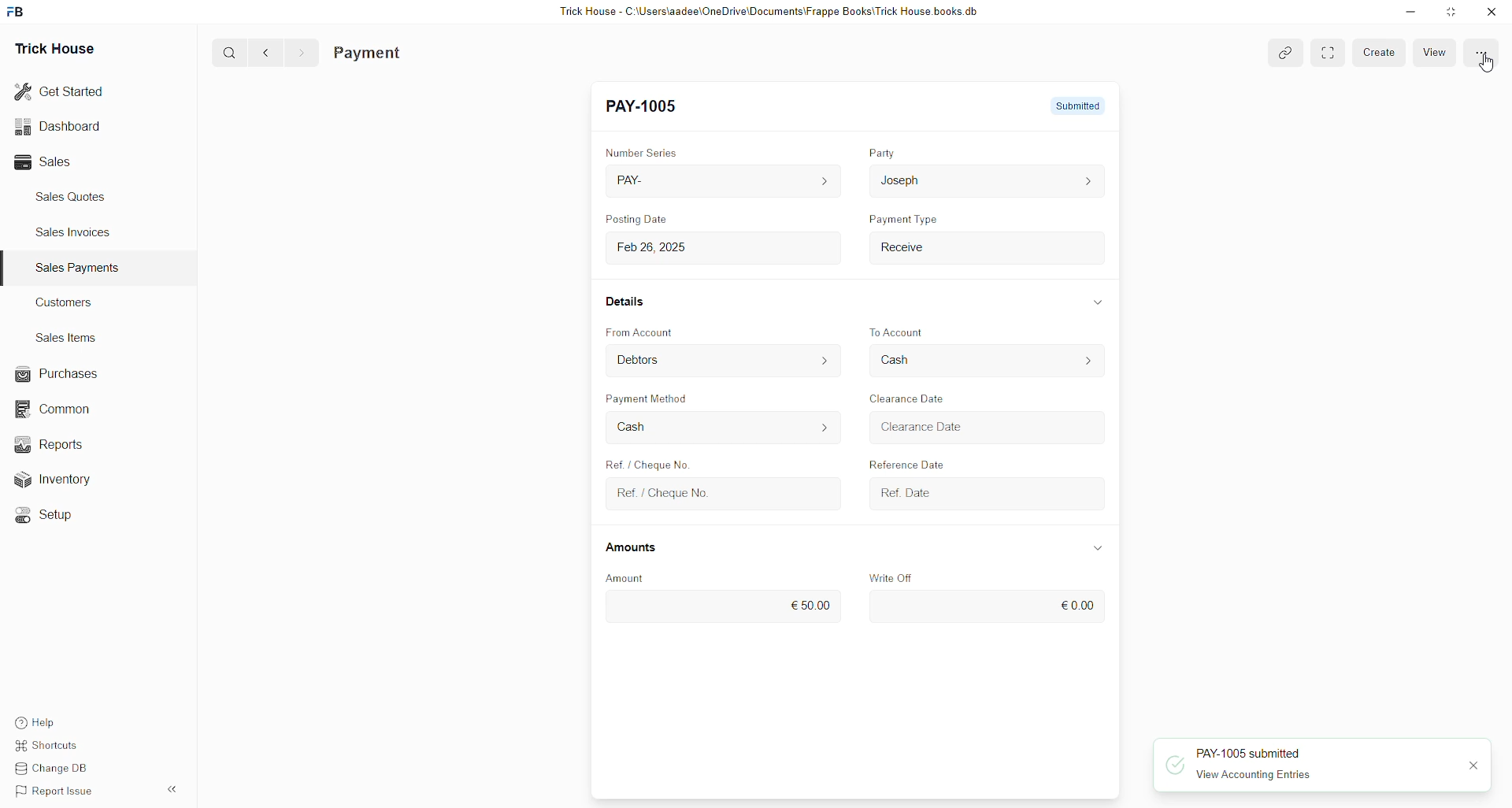  Describe the element at coordinates (1473, 765) in the screenshot. I see `close` at that location.